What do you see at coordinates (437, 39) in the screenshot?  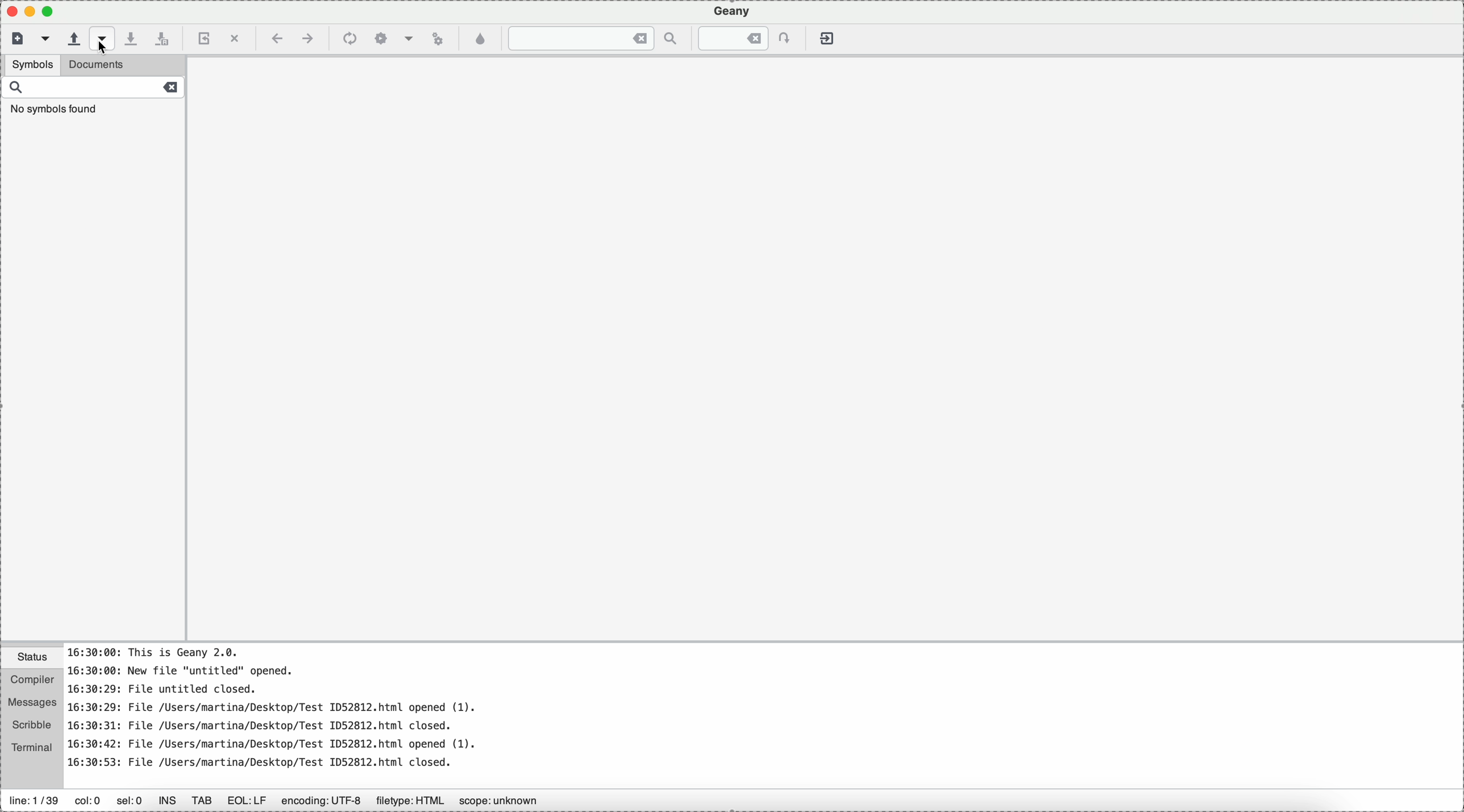 I see `run or view the current file` at bounding box center [437, 39].